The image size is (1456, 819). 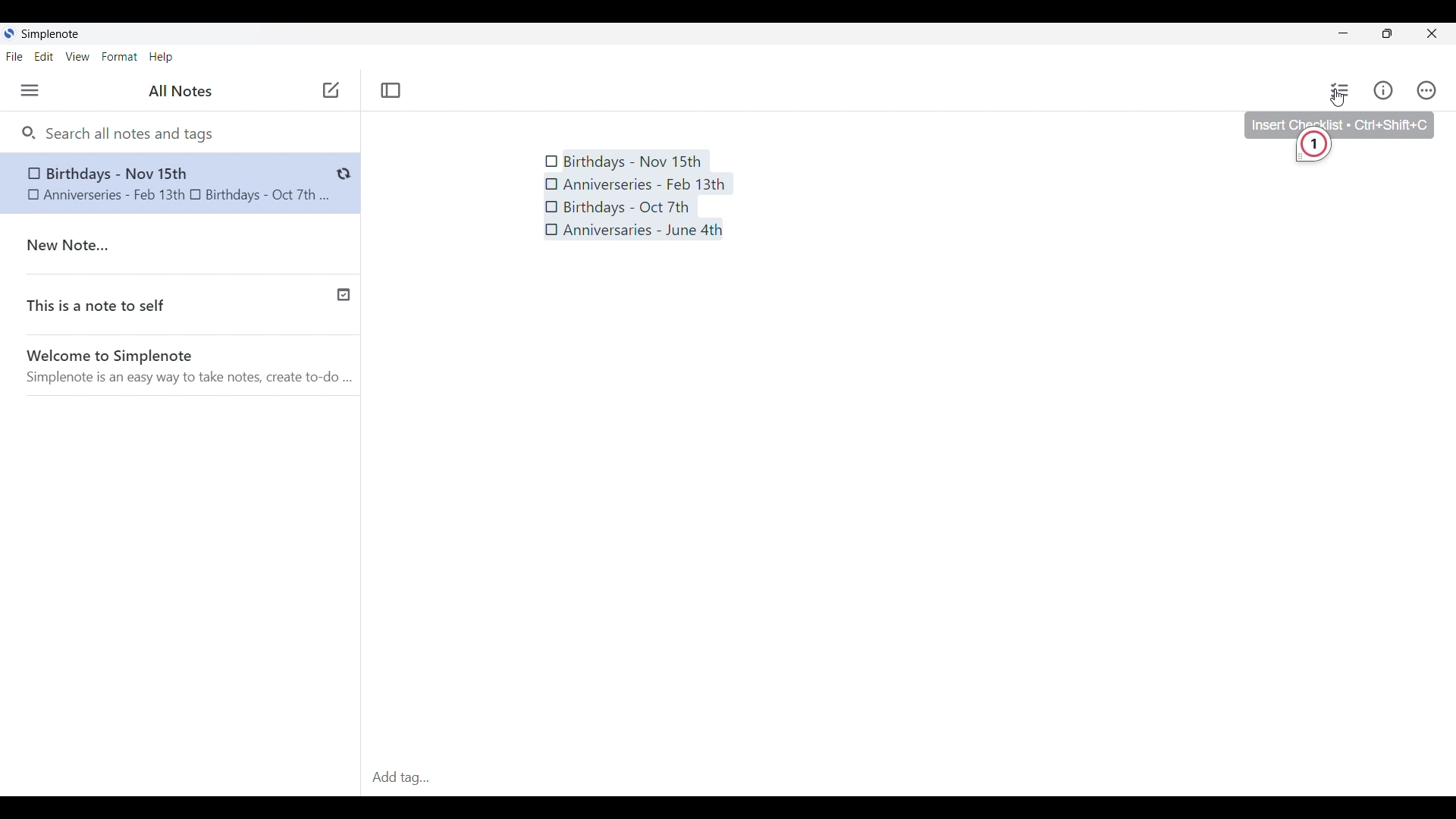 I want to click on New Note..(Older note), so click(x=184, y=246).